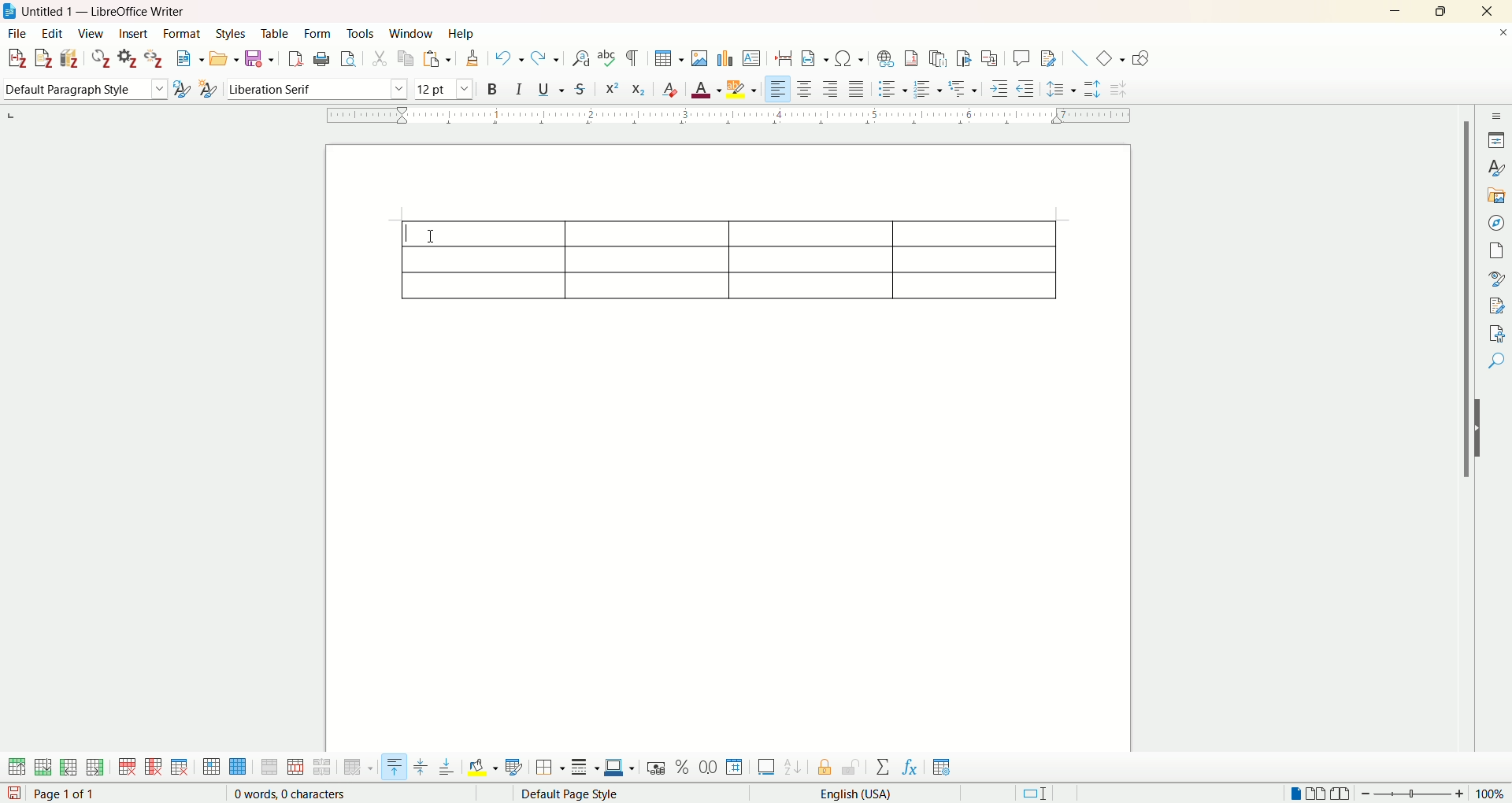  Describe the element at coordinates (72, 764) in the screenshot. I see `insert column before` at that location.